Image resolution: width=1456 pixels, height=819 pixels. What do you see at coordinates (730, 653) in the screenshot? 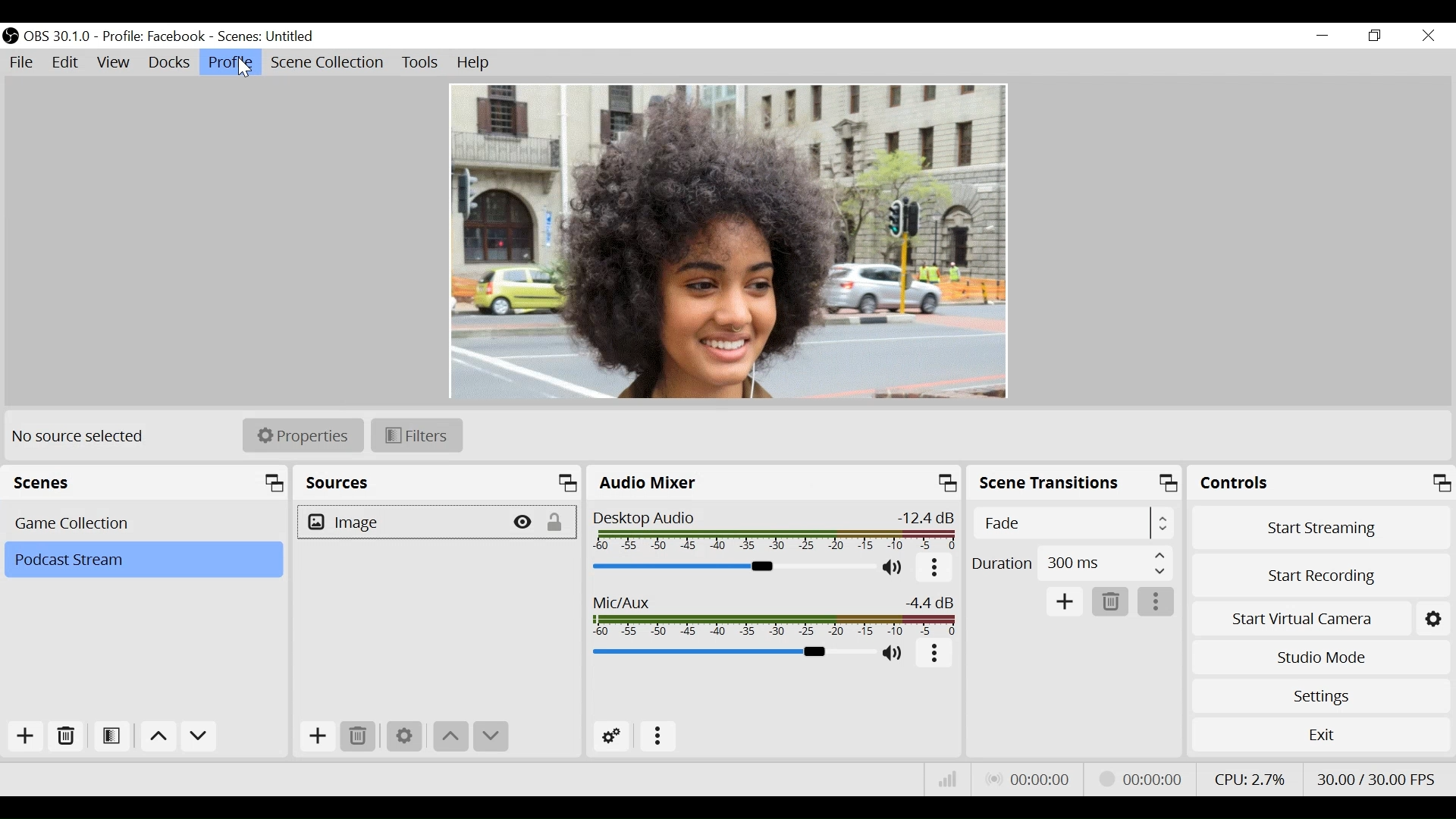
I see `Mic Slider` at bounding box center [730, 653].